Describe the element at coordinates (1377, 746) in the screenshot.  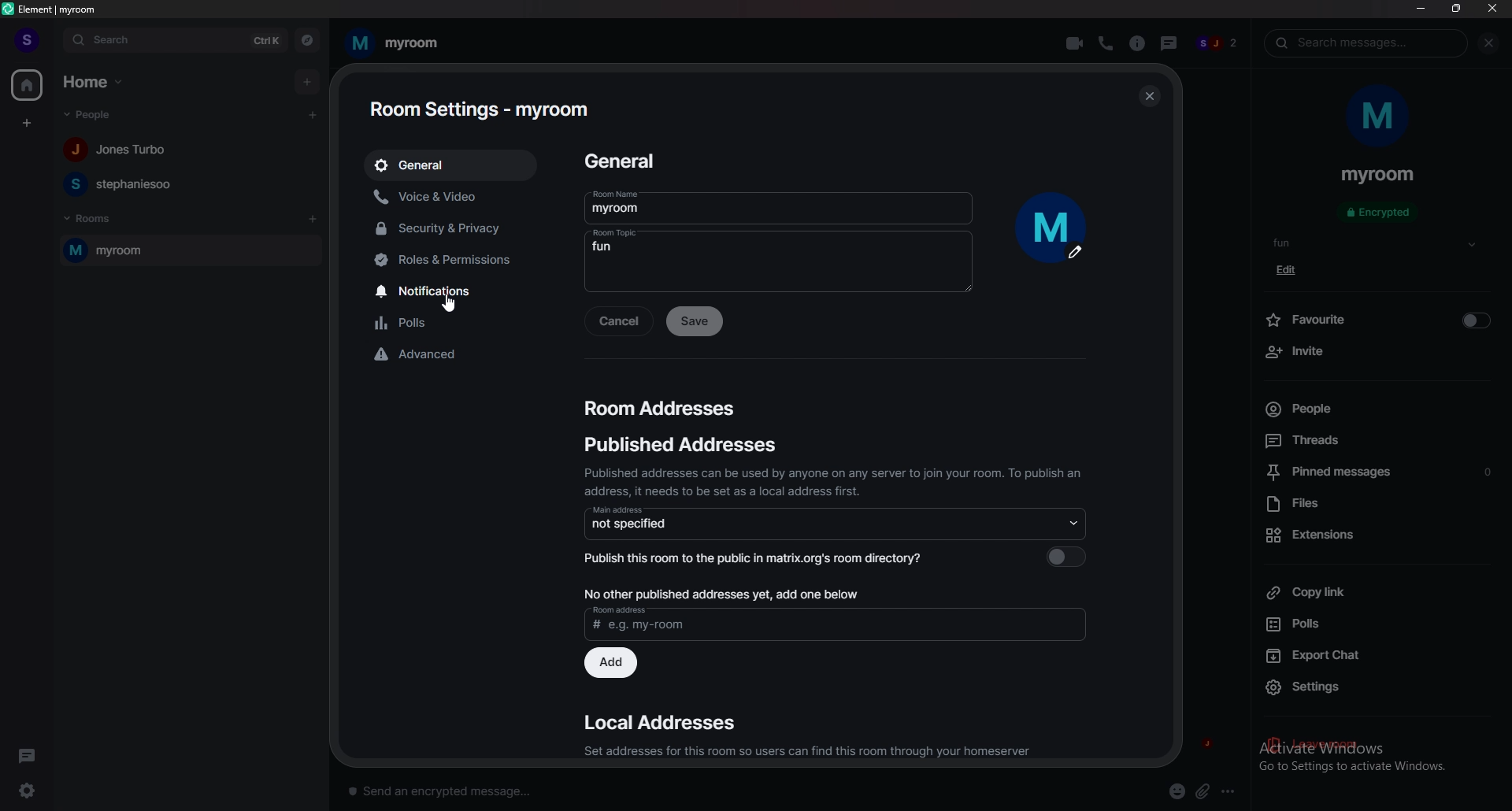
I see `leave room` at that location.